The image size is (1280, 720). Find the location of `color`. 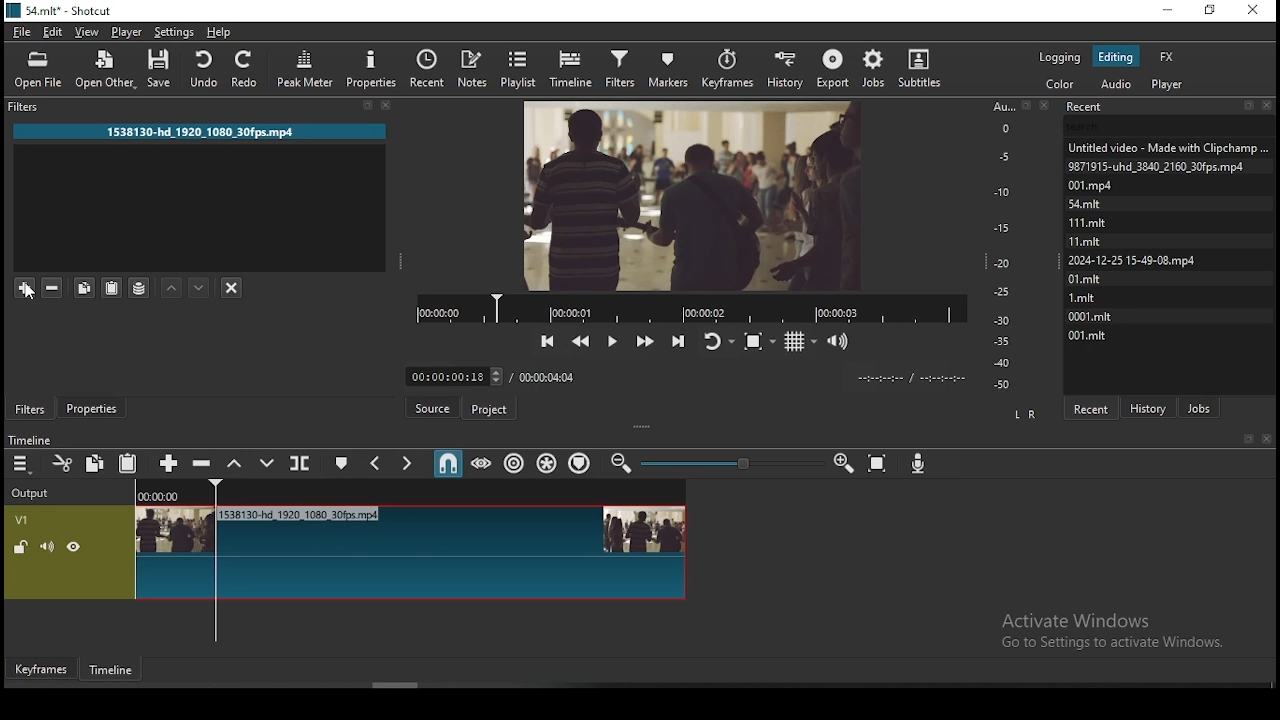

color is located at coordinates (1060, 84).